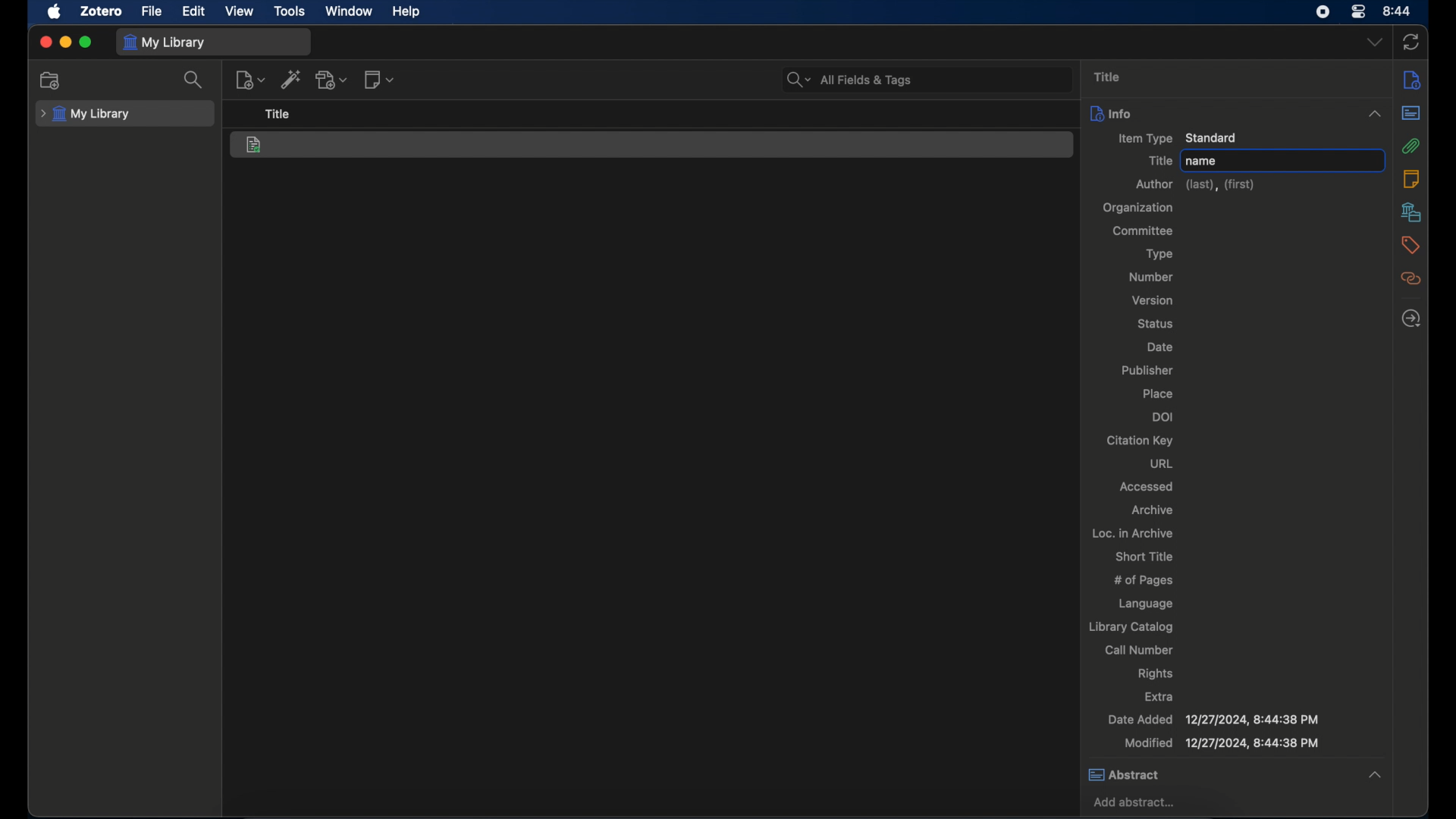  What do you see at coordinates (1411, 279) in the screenshot?
I see `related` at bounding box center [1411, 279].